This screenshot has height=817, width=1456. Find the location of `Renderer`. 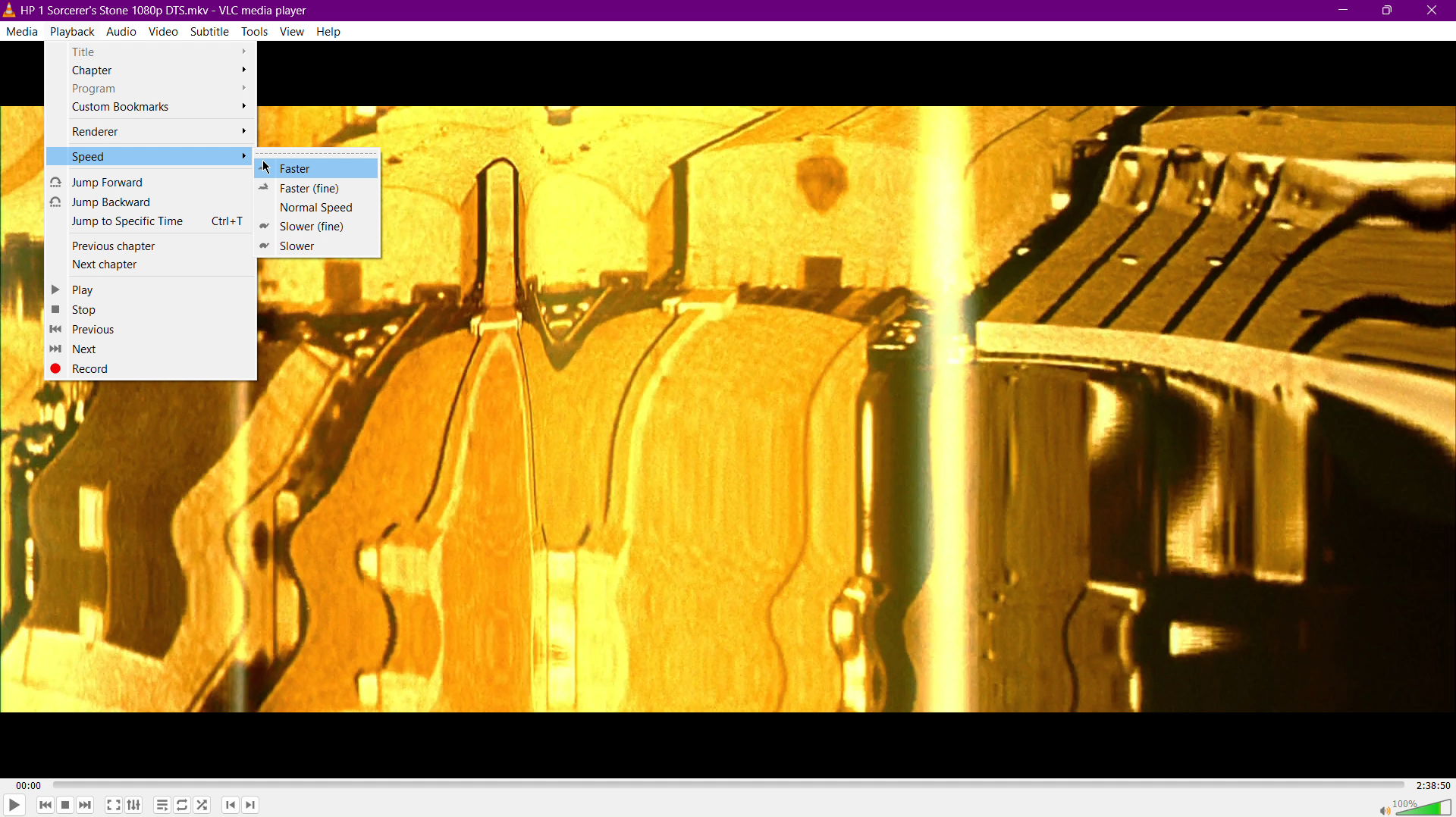

Renderer is located at coordinates (155, 132).